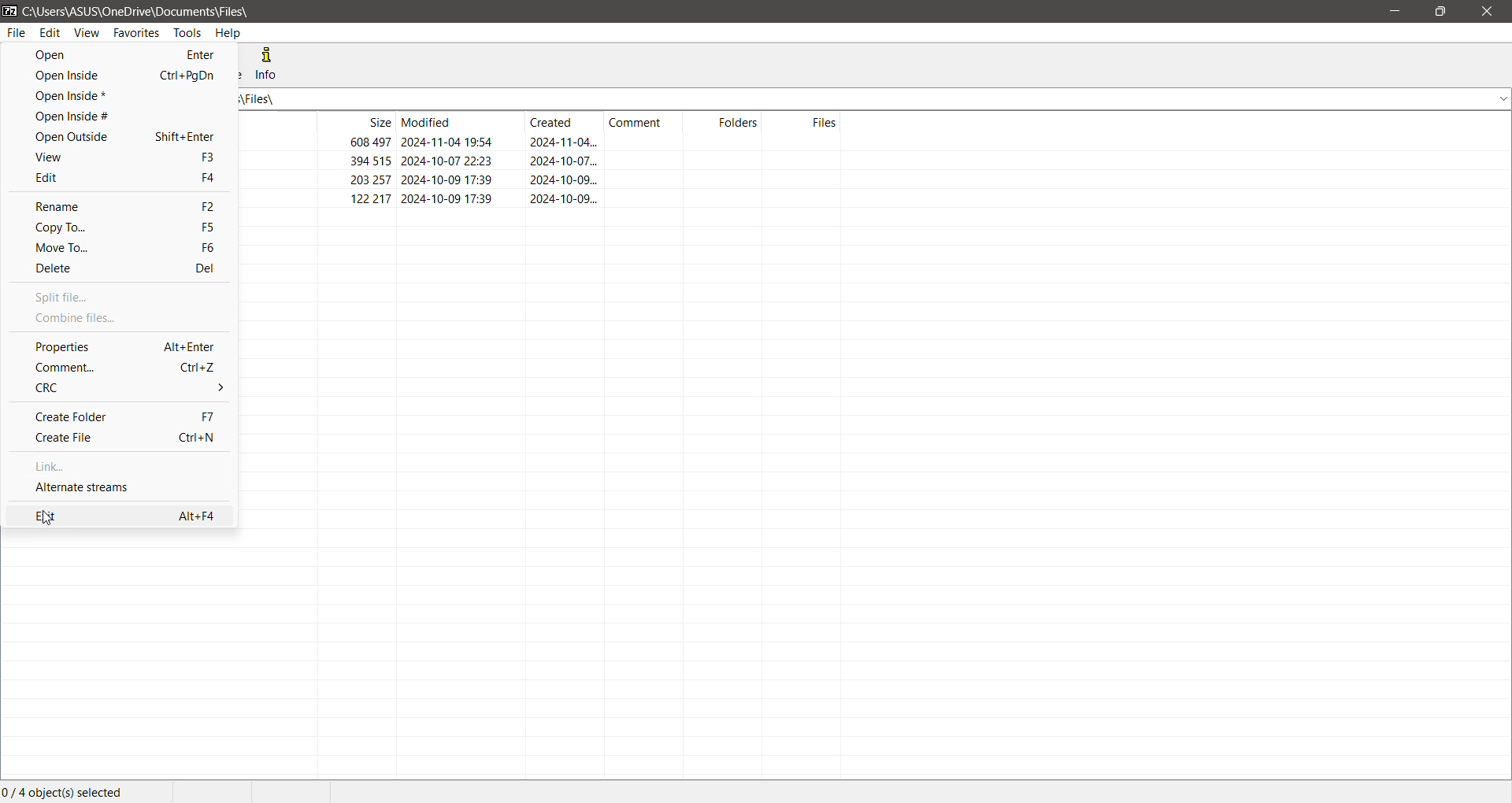 This screenshot has width=1512, height=803. I want to click on 2024-11-04 19:54, so click(446, 142).